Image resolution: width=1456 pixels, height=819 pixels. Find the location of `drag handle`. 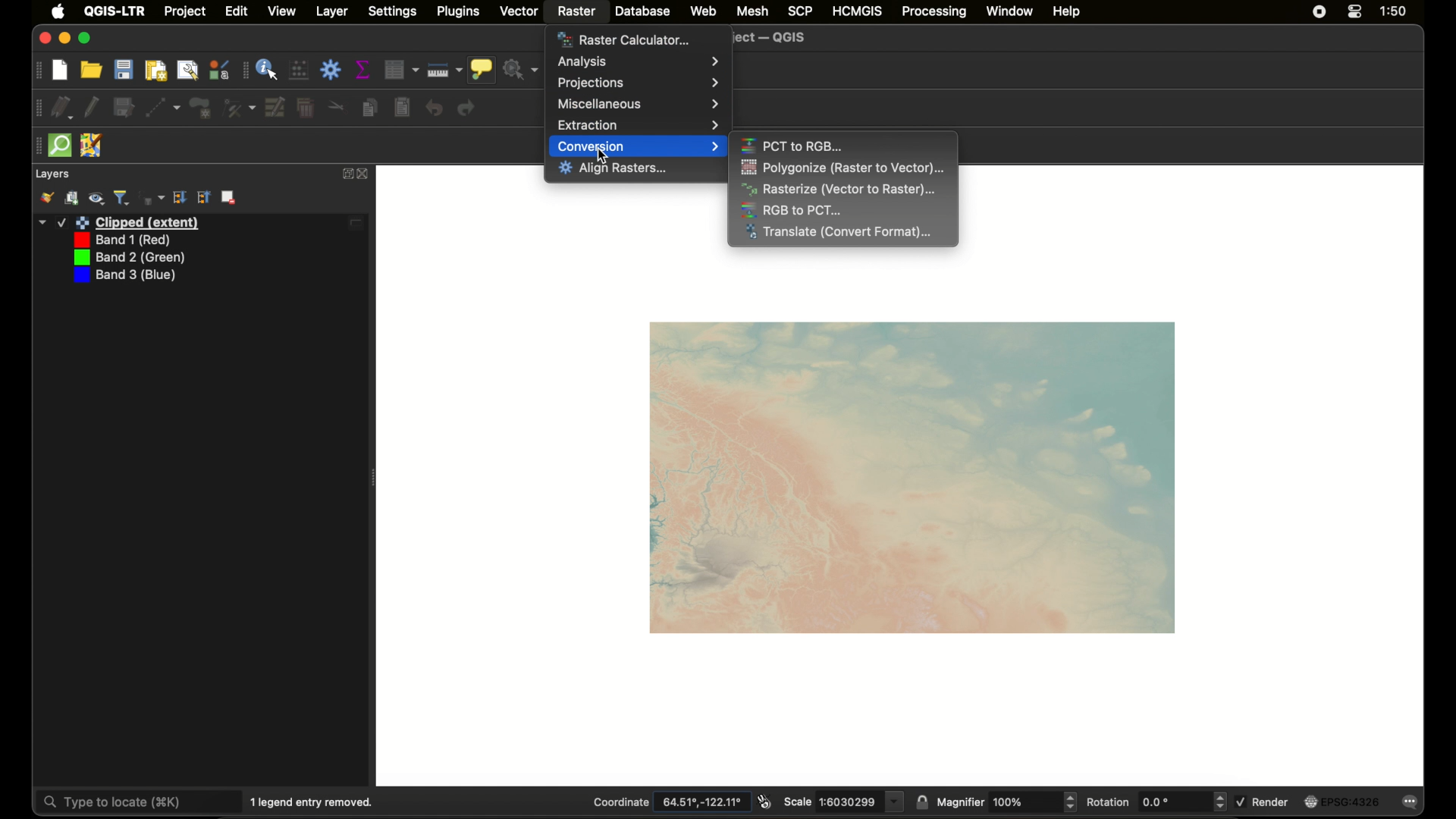

drag handle is located at coordinates (243, 71).